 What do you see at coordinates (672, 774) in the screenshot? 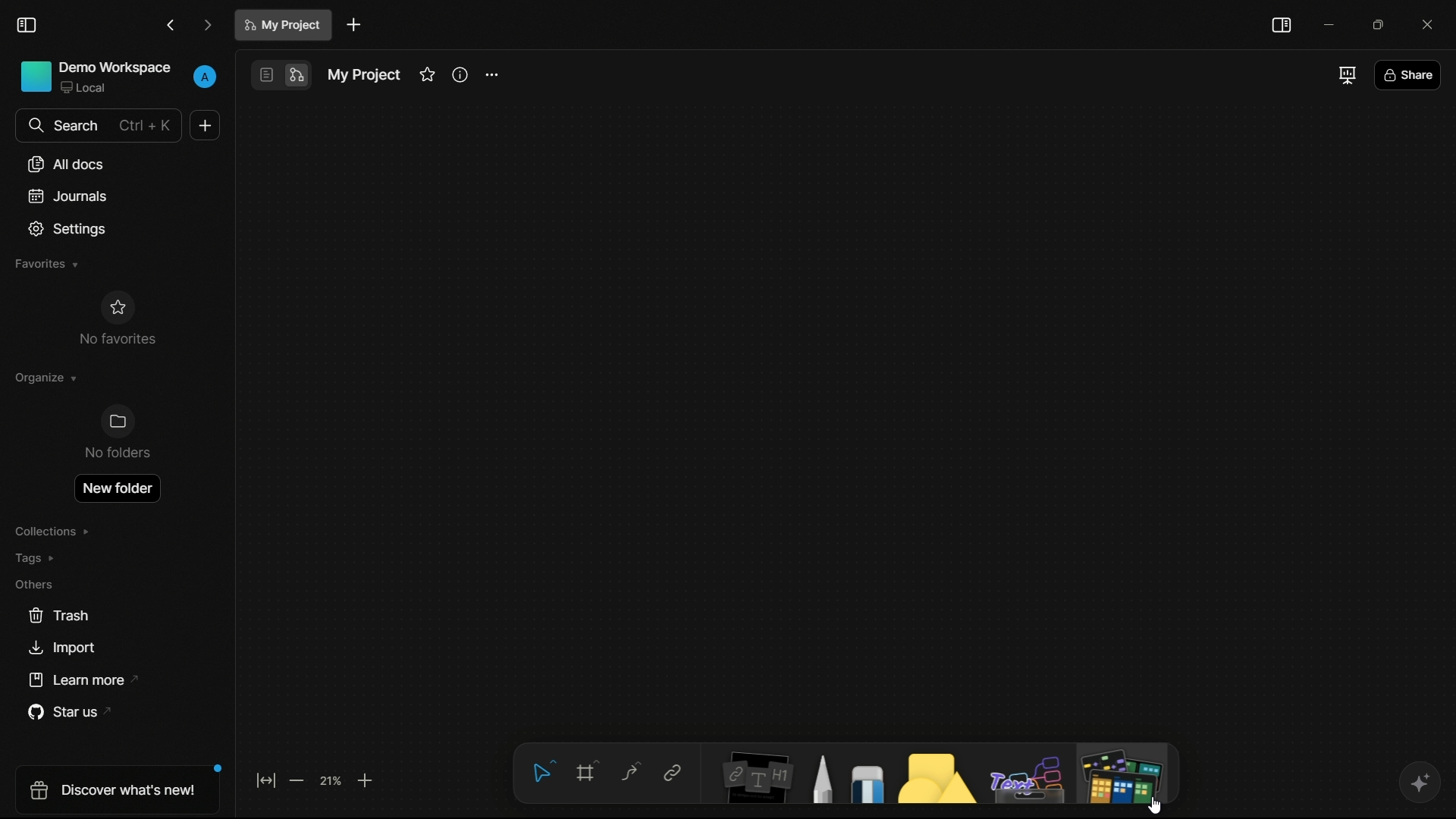
I see `link` at bounding box center [672, 774].